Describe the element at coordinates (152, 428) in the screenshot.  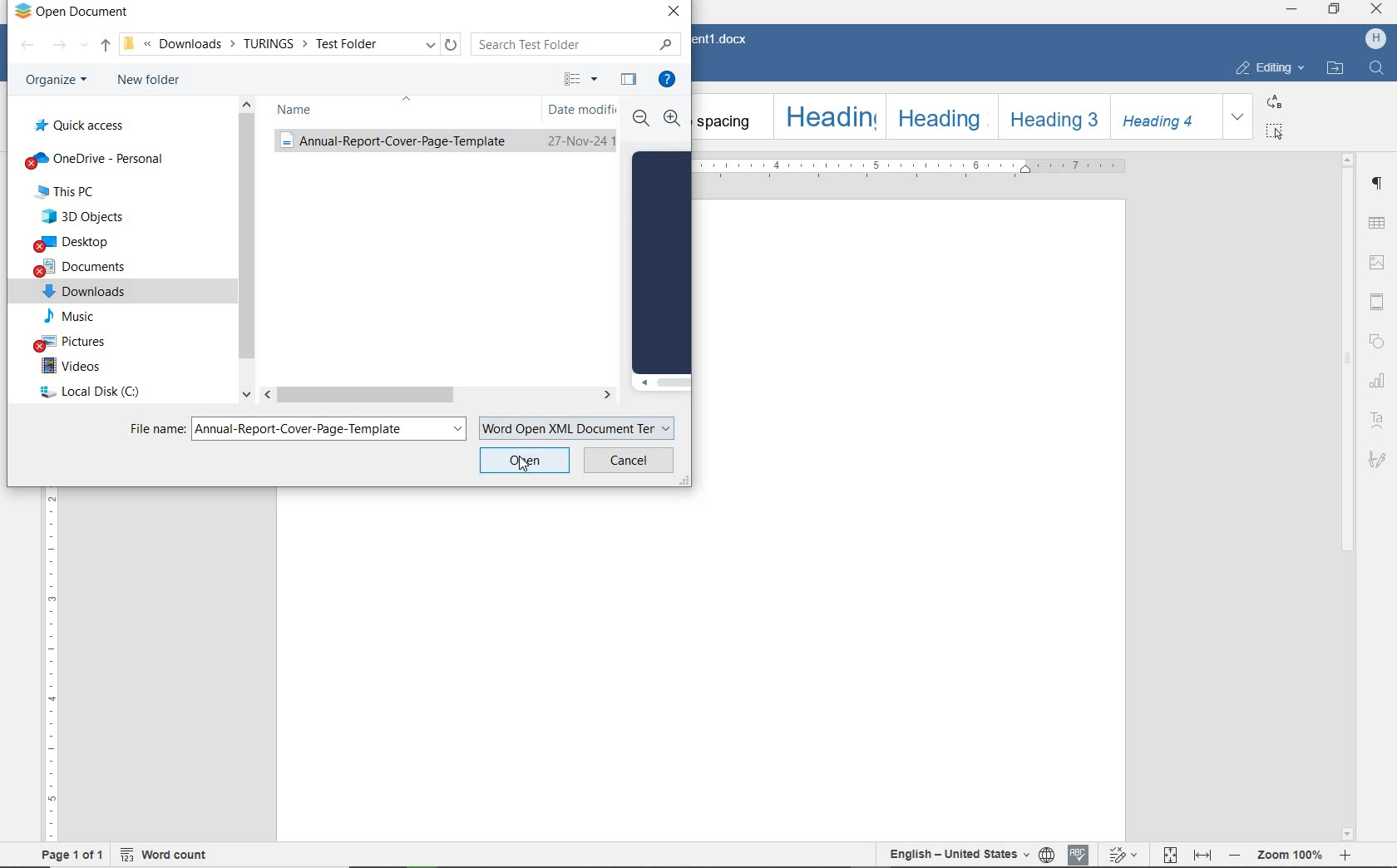
I see `FILE NAME` at that location.